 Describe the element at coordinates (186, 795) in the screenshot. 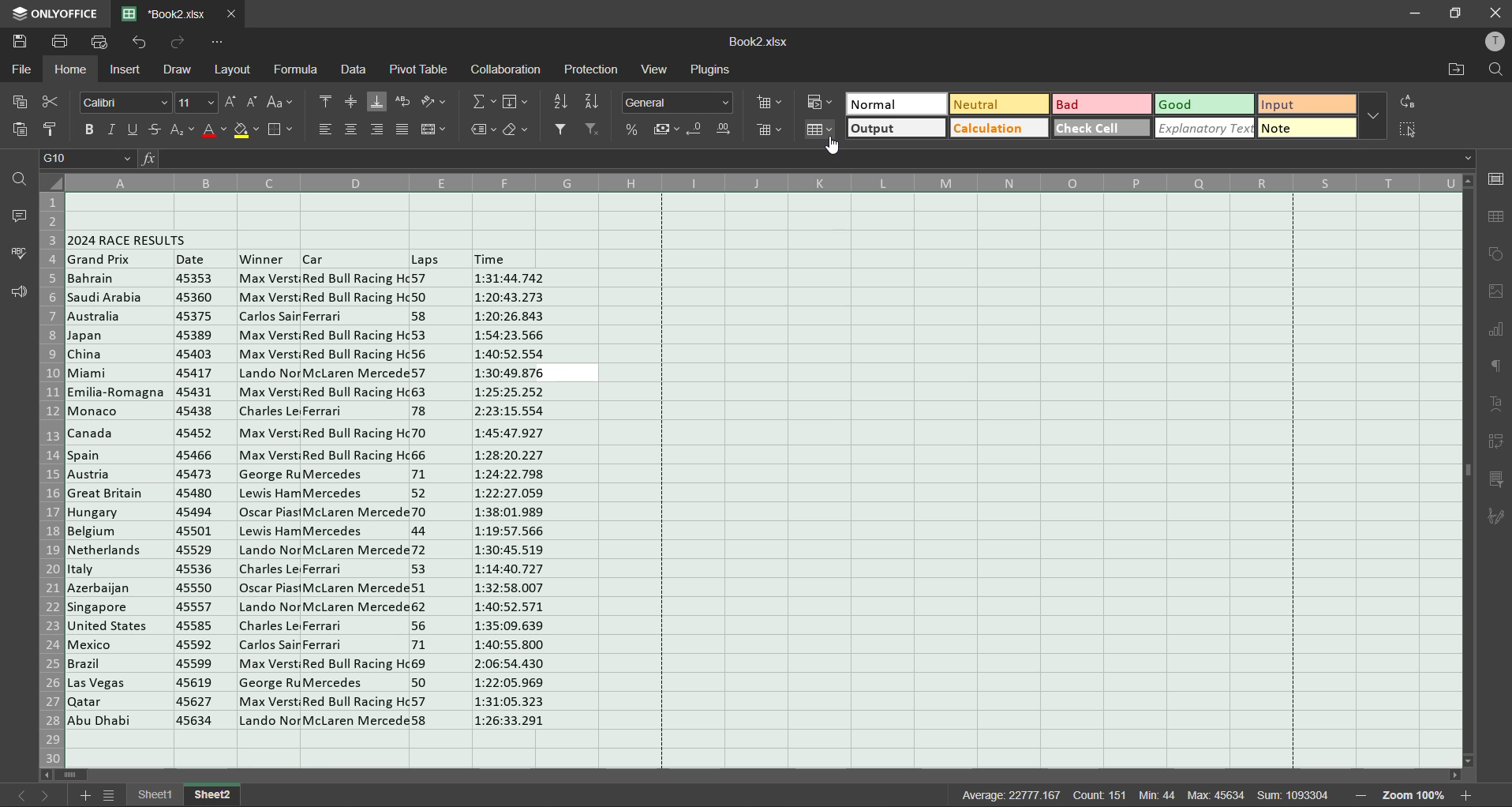

I see `sheet names` at that location.